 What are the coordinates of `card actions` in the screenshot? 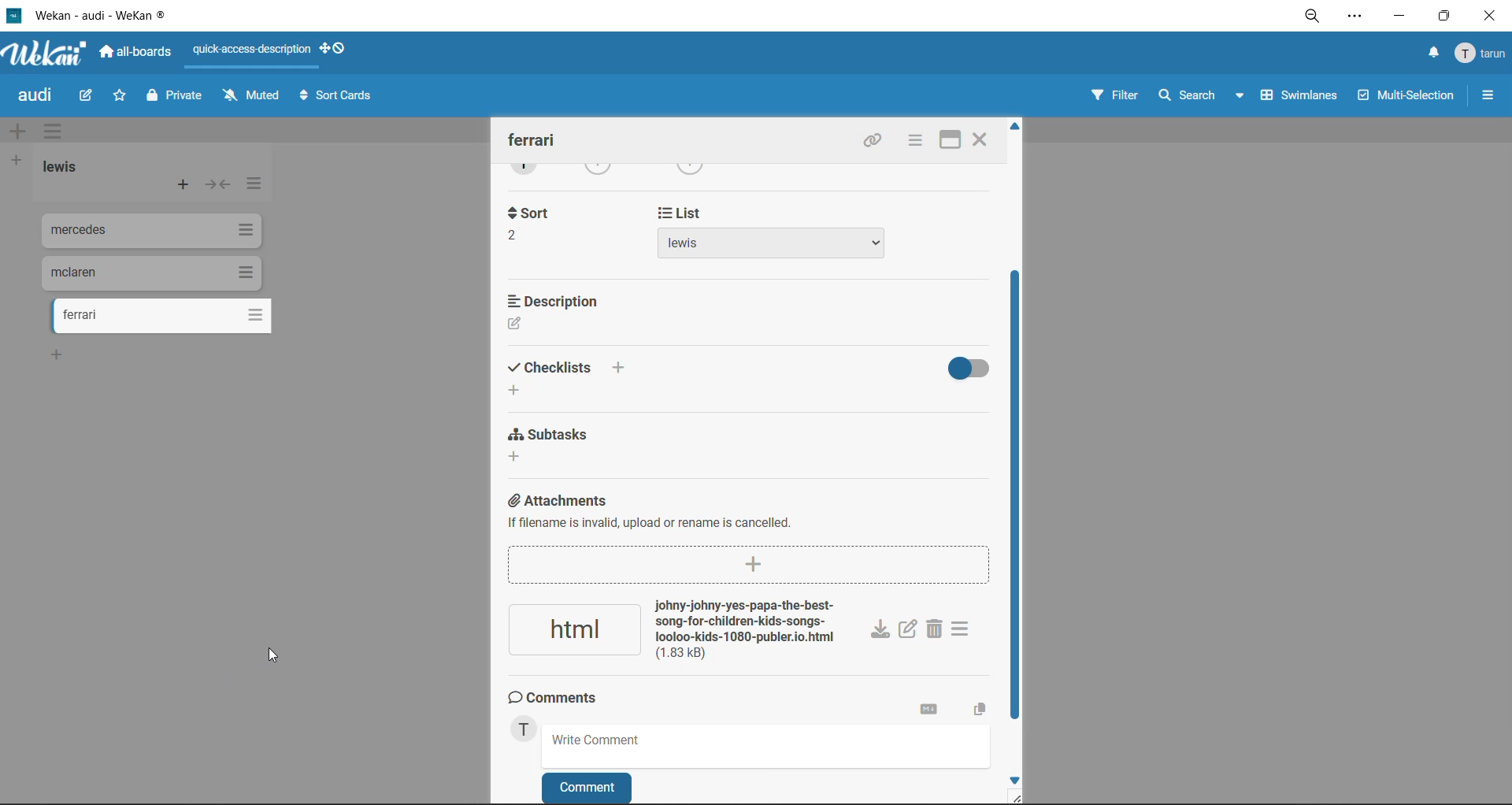 It's located at (913, 142).